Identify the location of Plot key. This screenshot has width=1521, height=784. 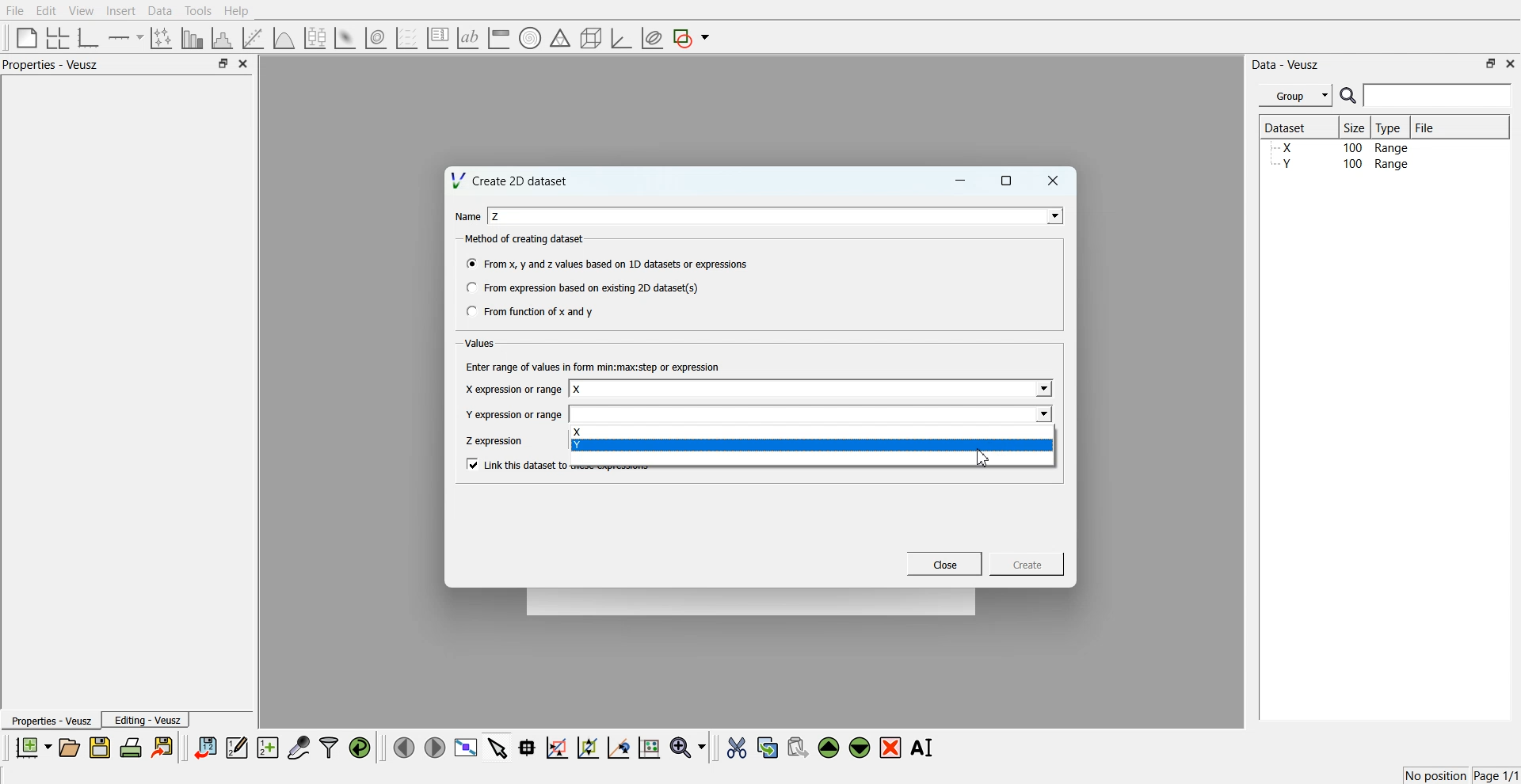
(437, 38).